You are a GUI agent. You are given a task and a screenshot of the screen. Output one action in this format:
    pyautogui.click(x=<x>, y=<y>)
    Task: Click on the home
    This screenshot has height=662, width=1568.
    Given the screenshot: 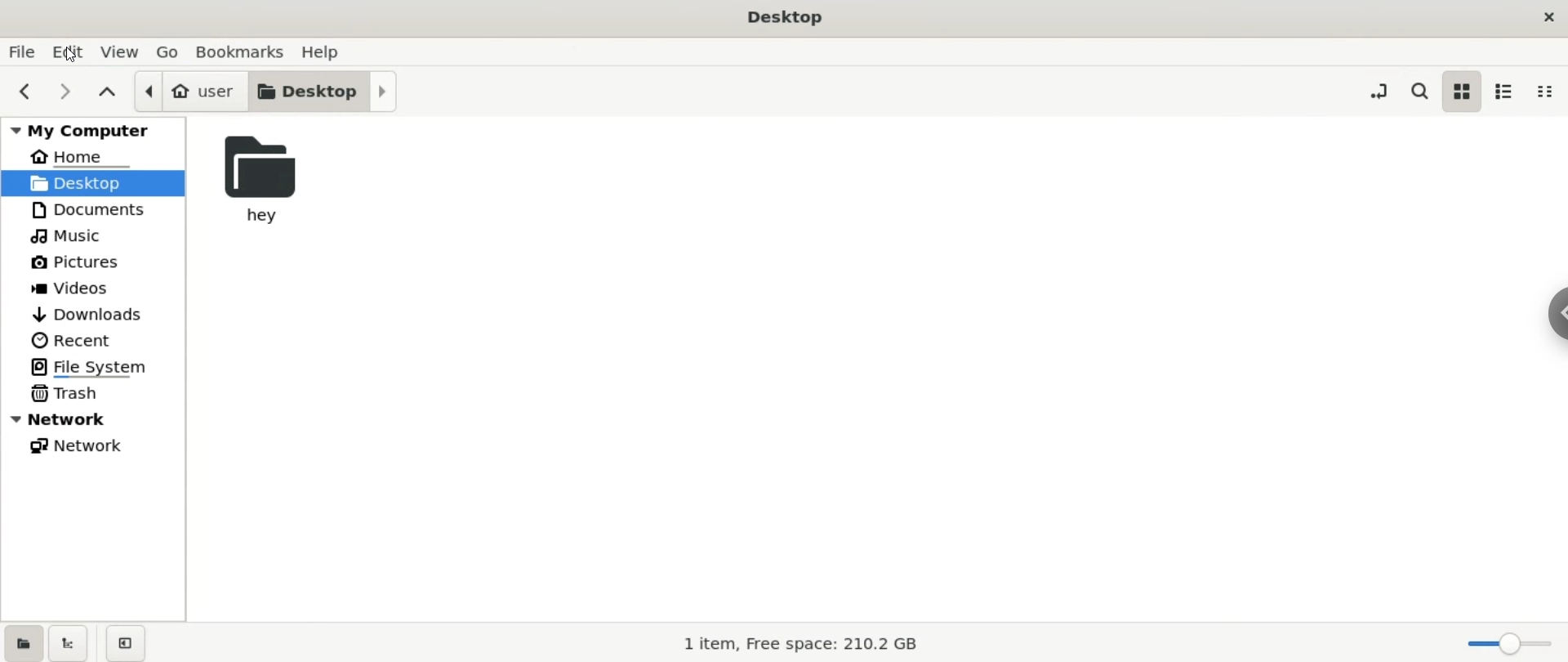 What is the action you would take?
    pyautogui.click(x=78, y=157)
    